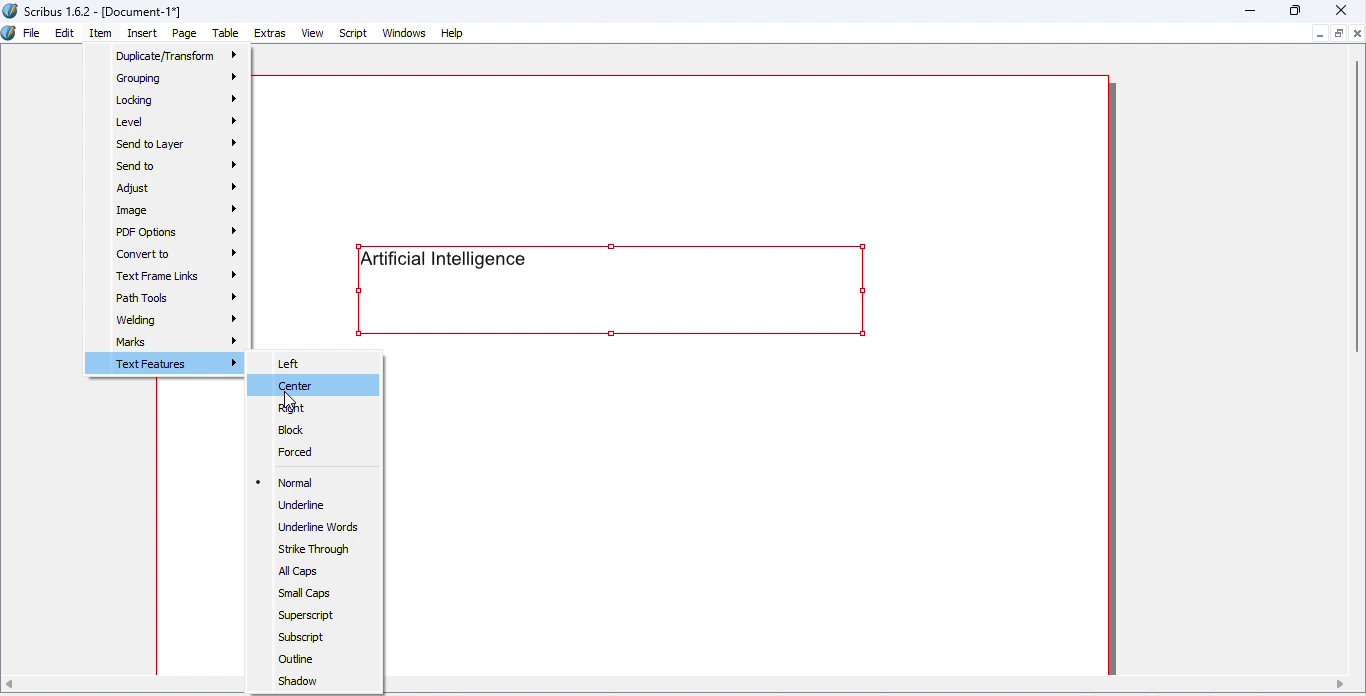 This screenshot has width=1366, height=696. Describe the element at coordinates (141, 33) in the screenshot. I see `Insert` at that location.